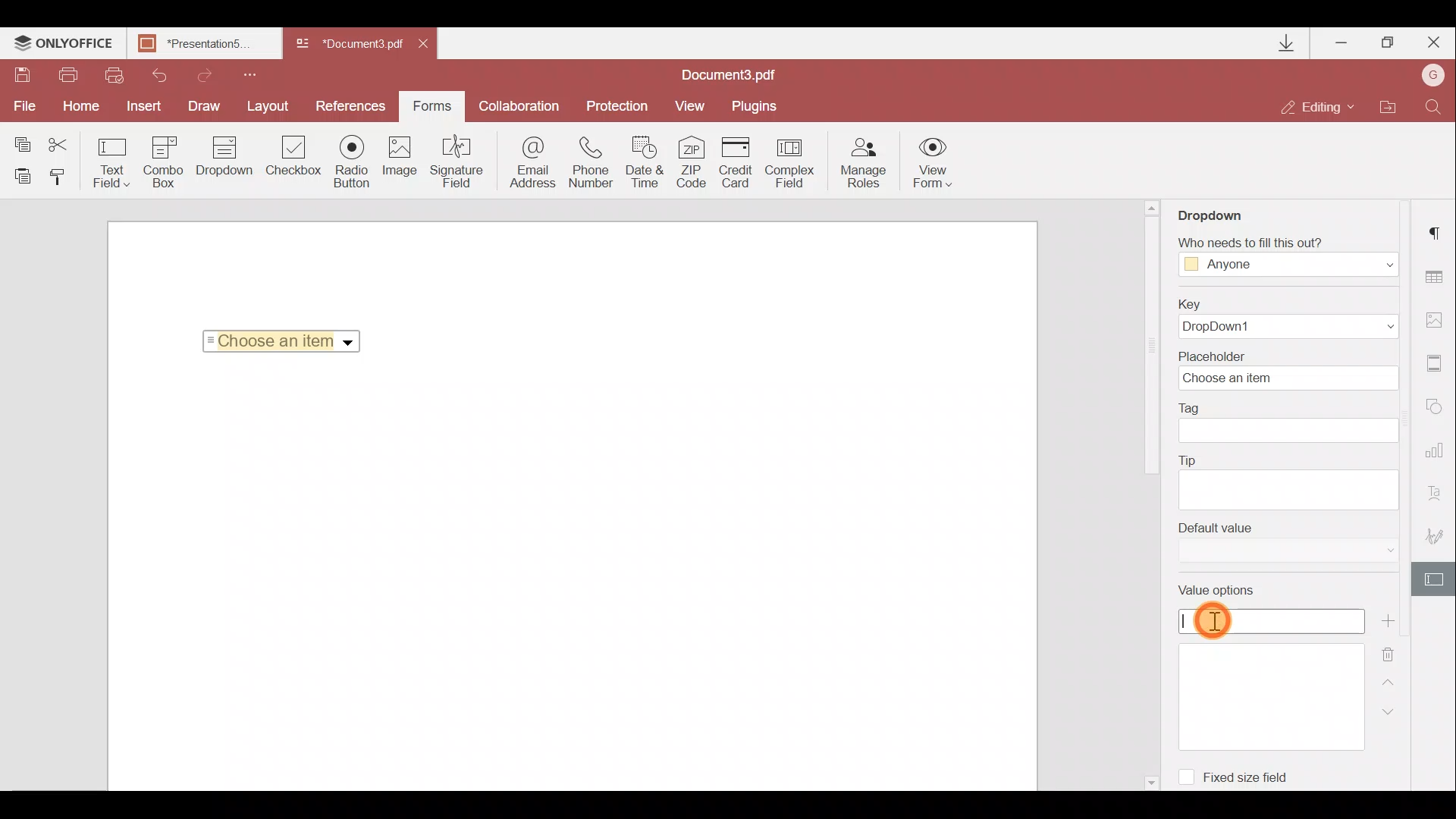 Image resolution: width=1456 pixels, height=819 pixels. I want to click on Open file location, so click(1387, 108).